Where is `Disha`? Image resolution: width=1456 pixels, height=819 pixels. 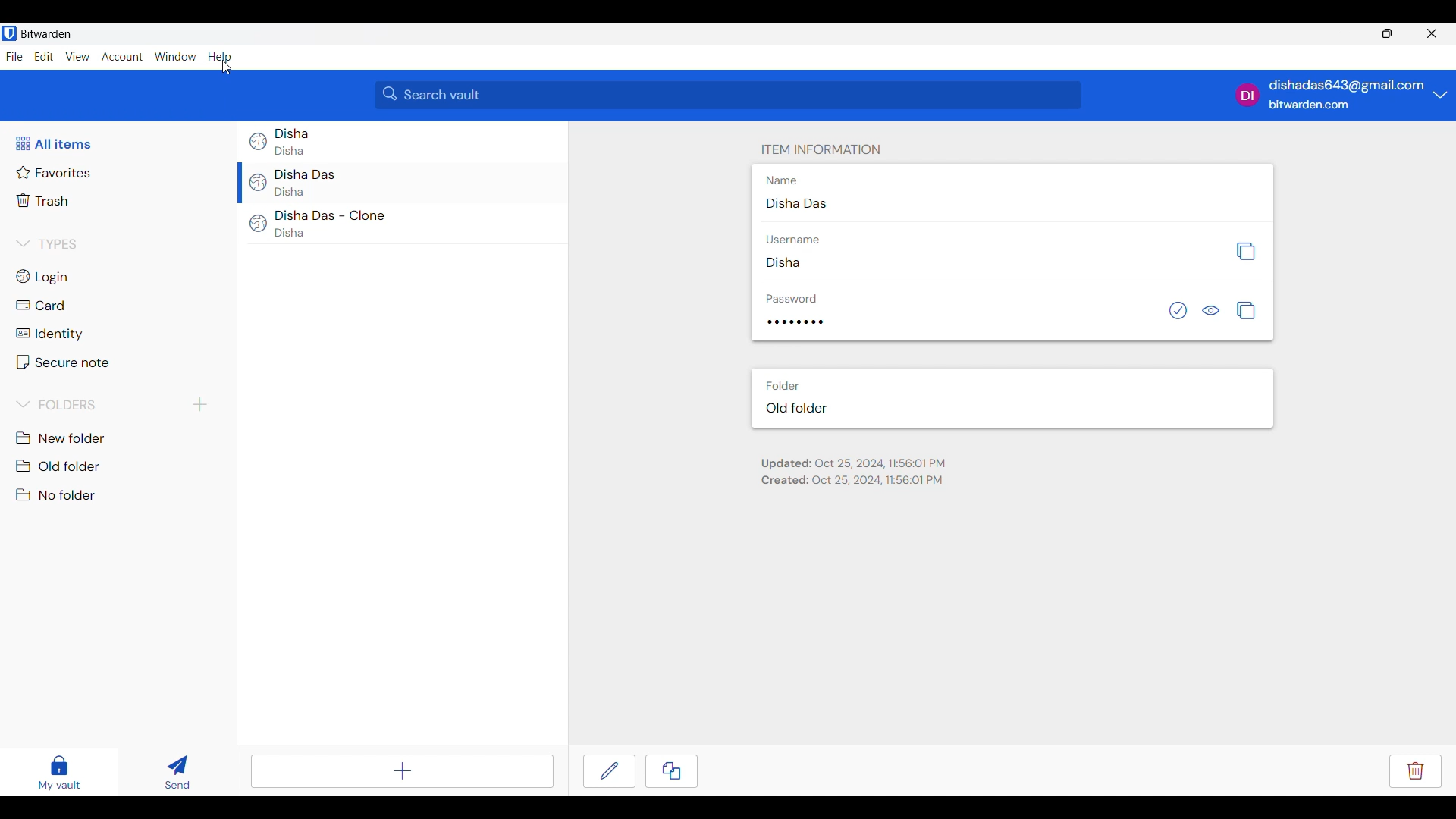
Disha is located at coordinates (783, 262).